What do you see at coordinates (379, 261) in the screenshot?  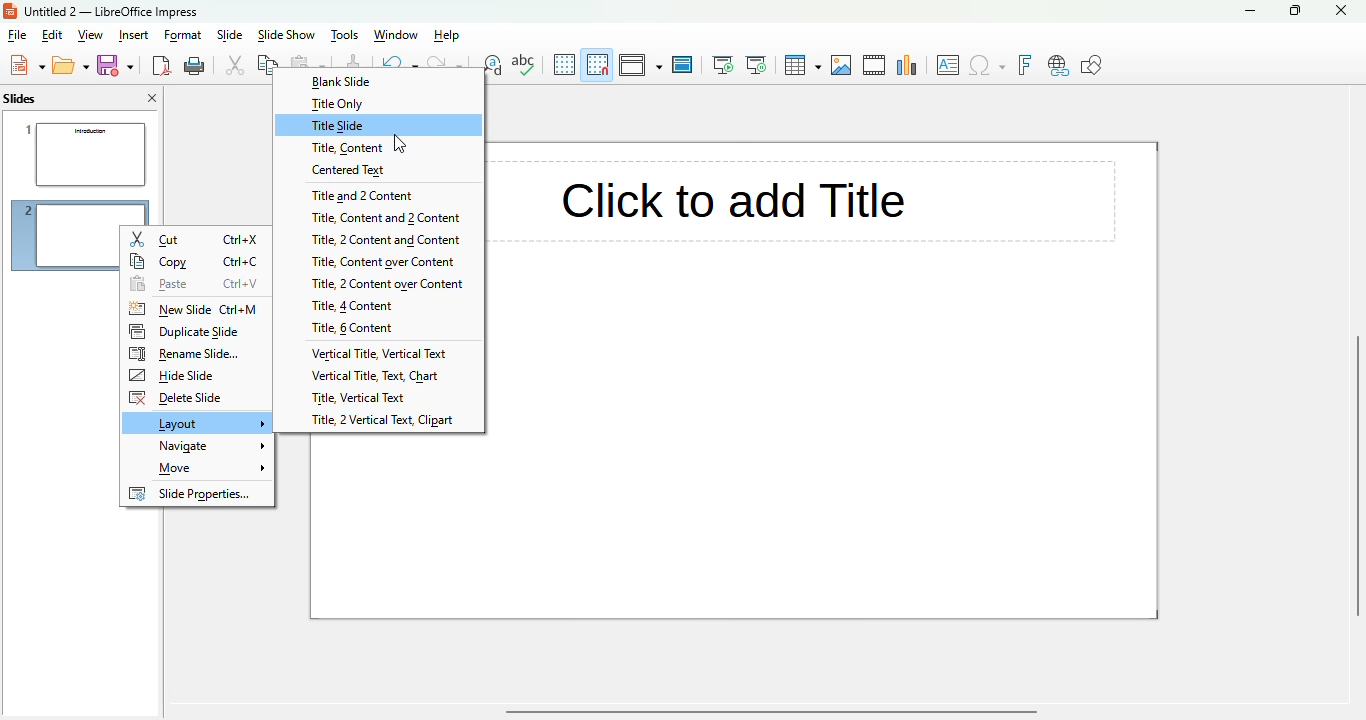 I see `title, content over content` at bounding box center [379, 261].